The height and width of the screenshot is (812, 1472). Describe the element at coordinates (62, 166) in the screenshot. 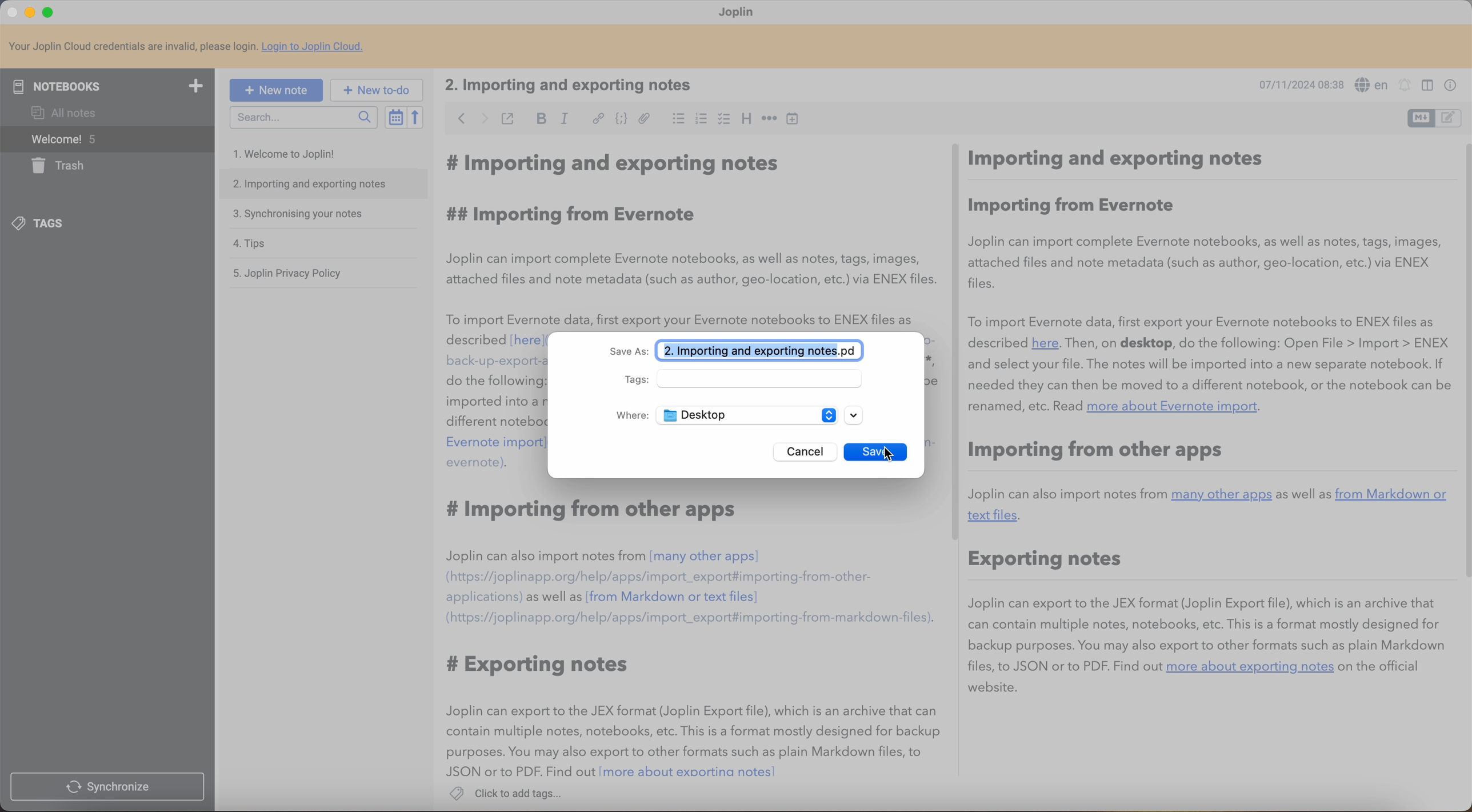

I see `trash` at that location.